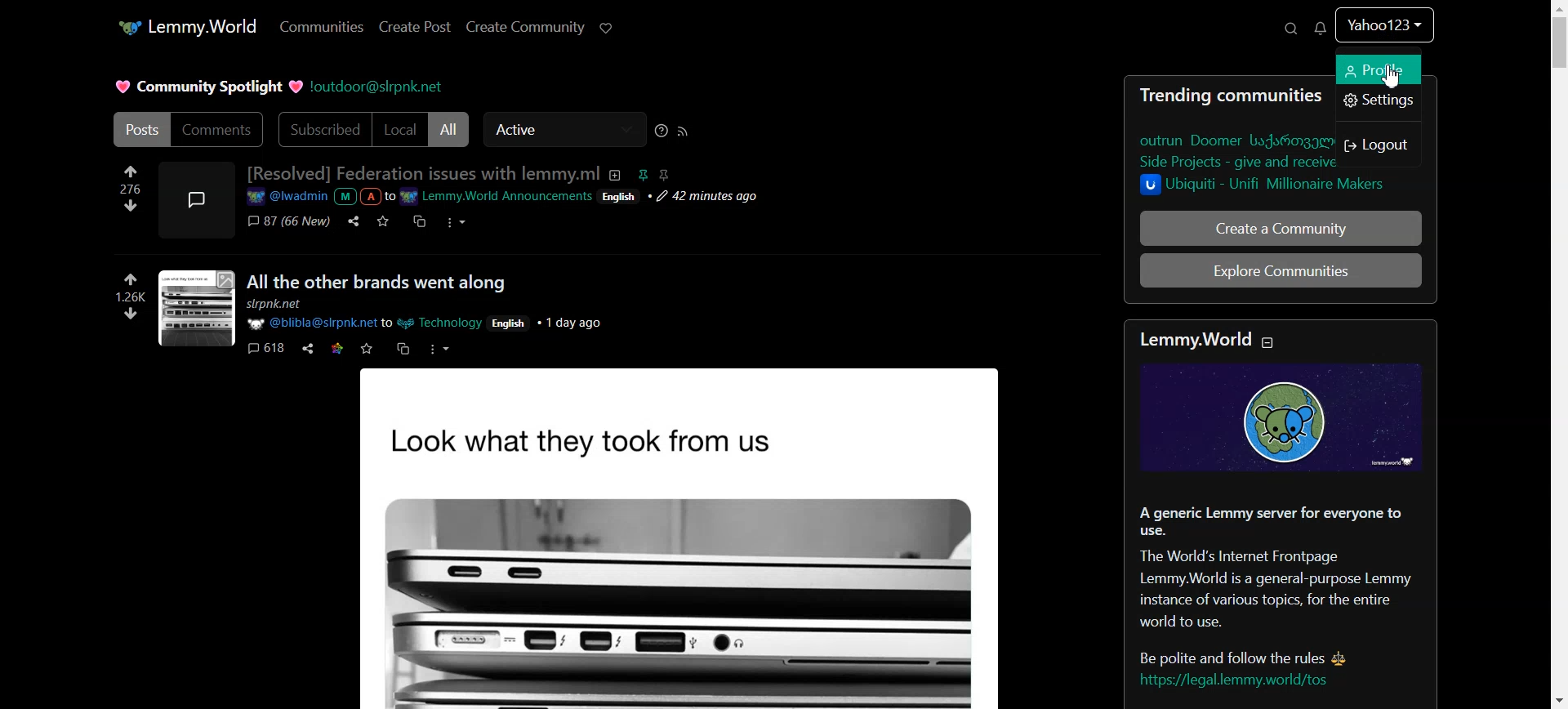 This screenshot has width=1568, height=709. I want to click on Hyperlink, so click(506, 196).